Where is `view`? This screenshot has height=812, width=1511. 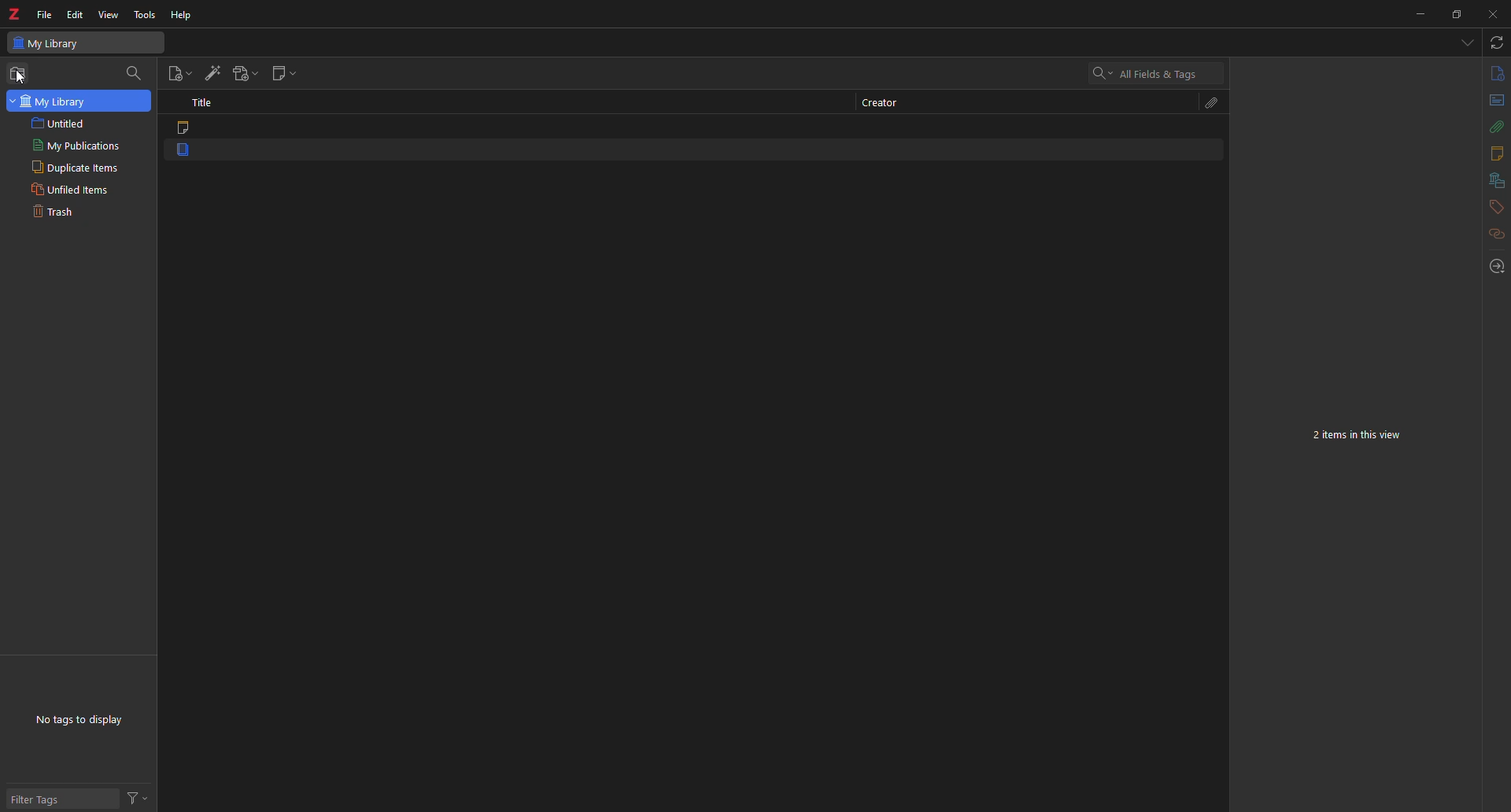
view is located at coordinates (110, 17).